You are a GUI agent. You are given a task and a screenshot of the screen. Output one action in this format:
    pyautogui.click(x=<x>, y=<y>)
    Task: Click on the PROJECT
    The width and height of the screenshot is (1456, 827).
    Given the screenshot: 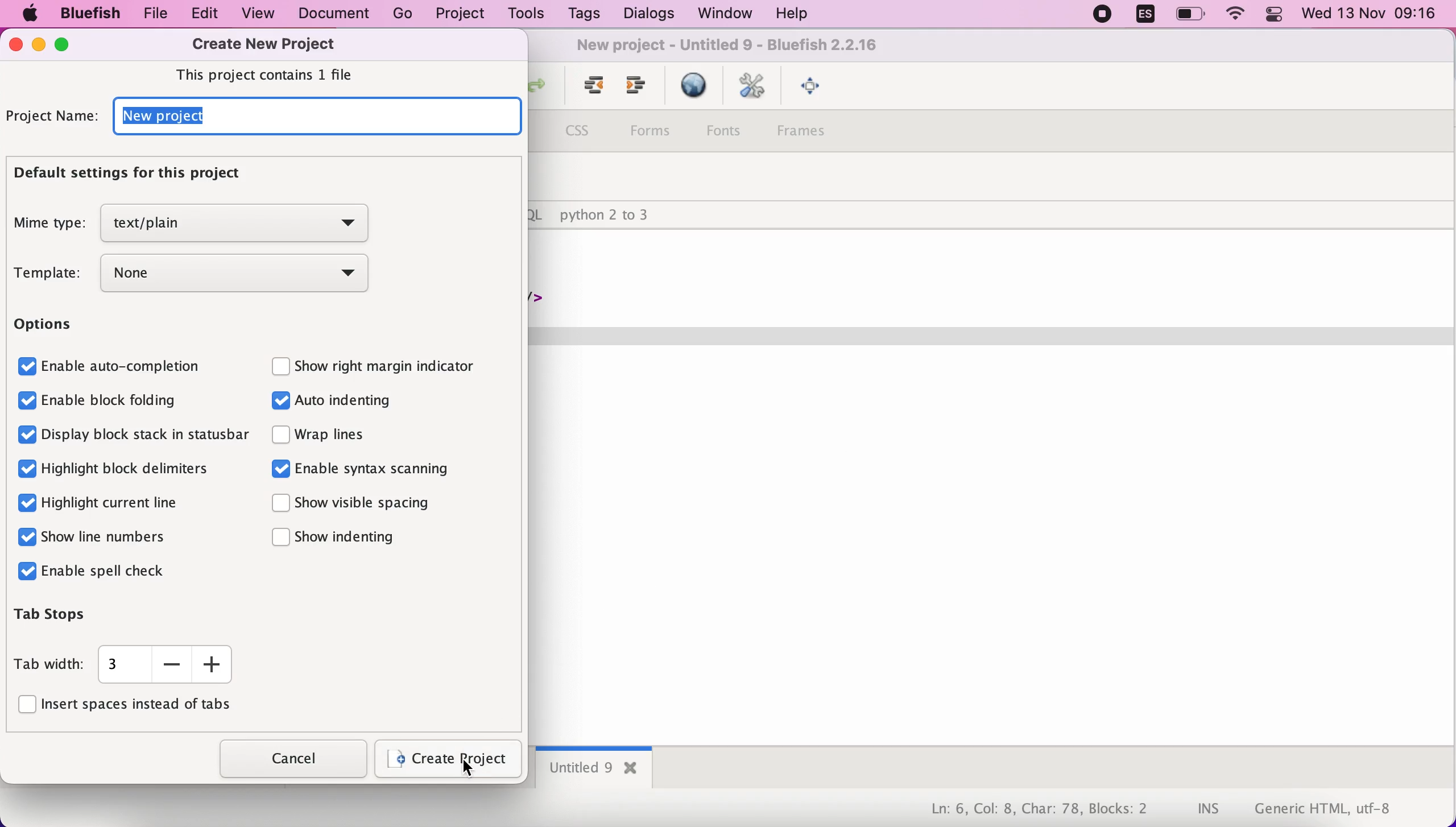 What is the action you would take?
    pyautogui.click(x=459, y=14)
    